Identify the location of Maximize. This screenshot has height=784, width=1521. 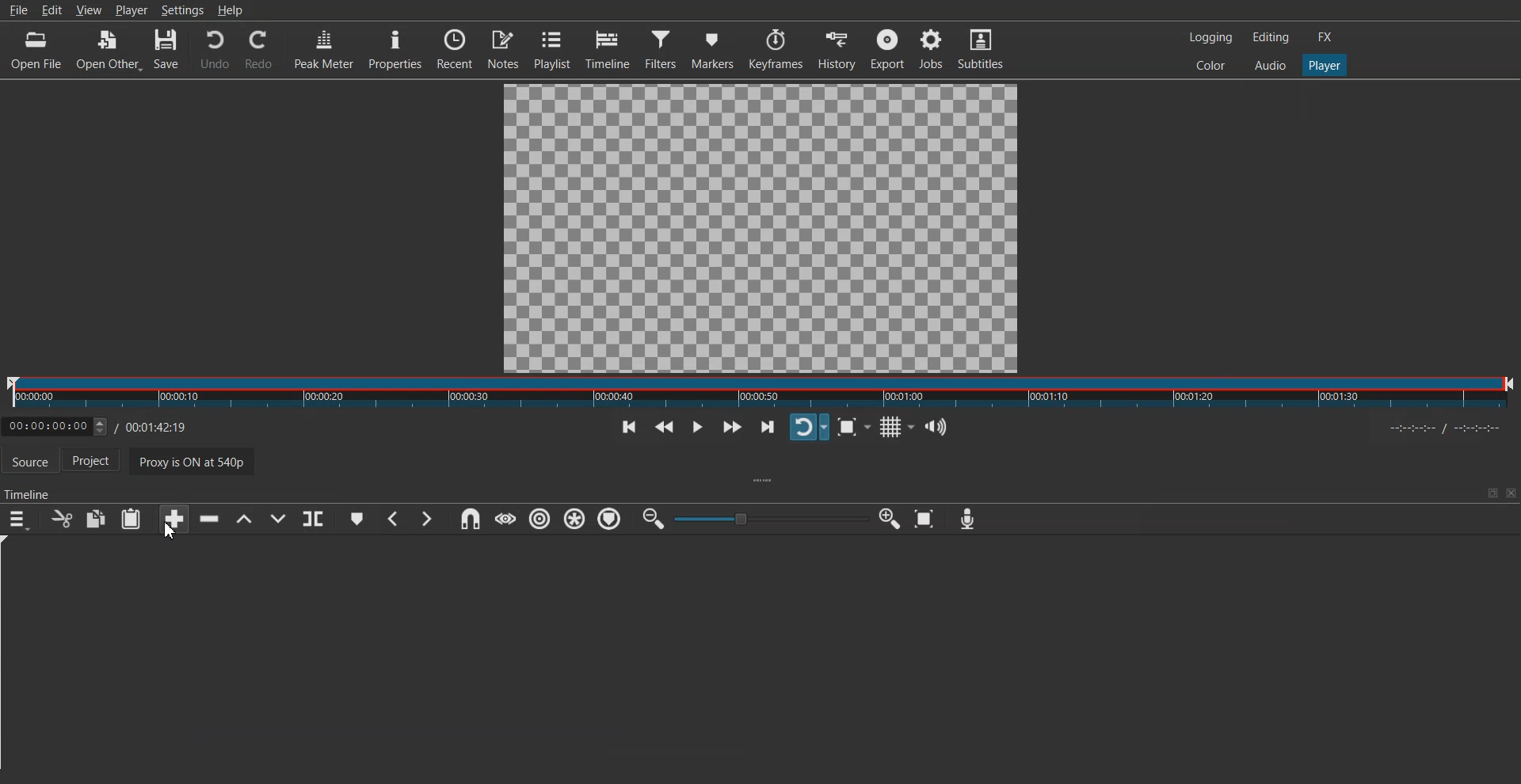
(1492, 493).